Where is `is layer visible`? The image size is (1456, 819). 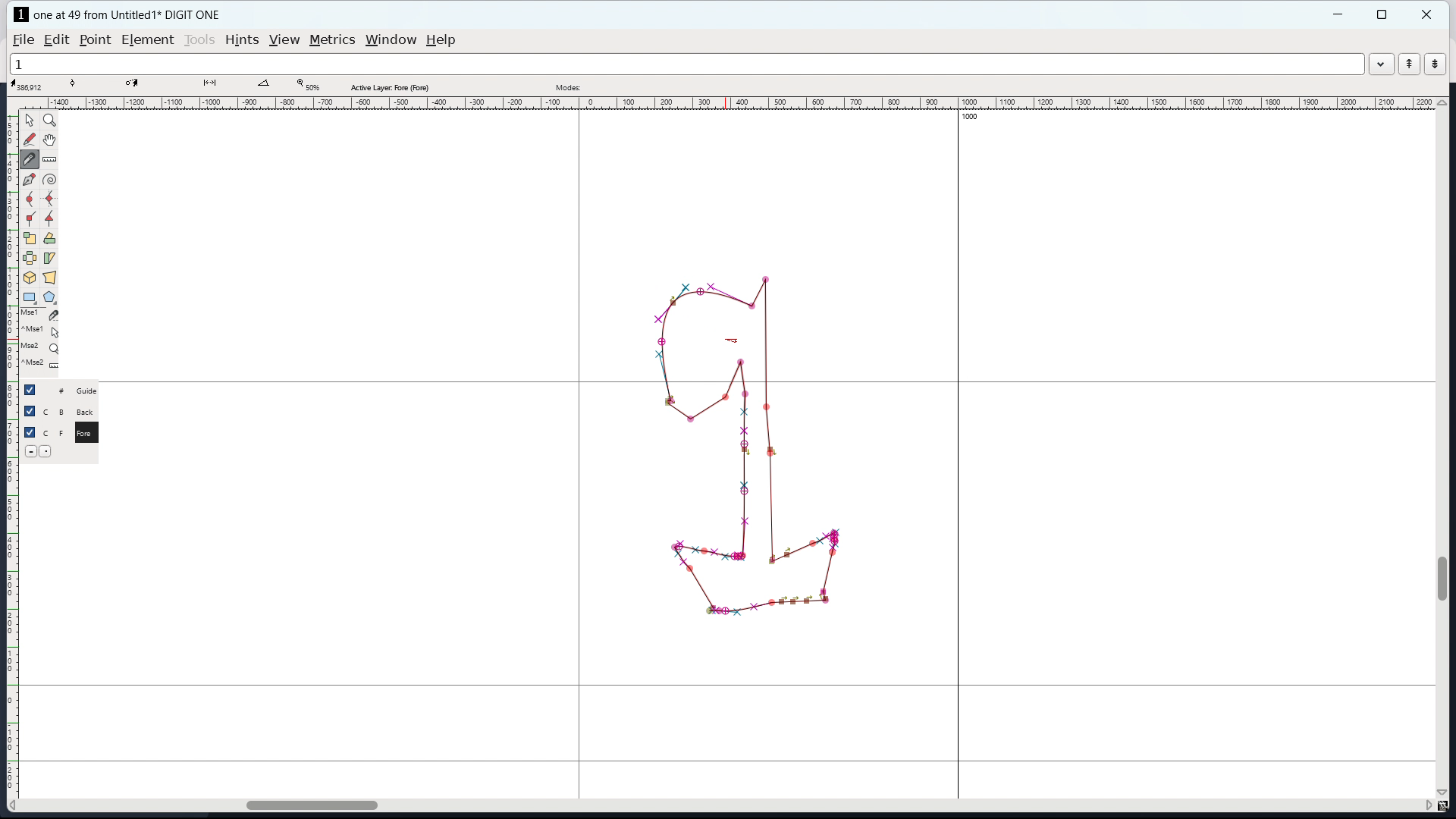 is layer visible is located at coordinates (30, 390).